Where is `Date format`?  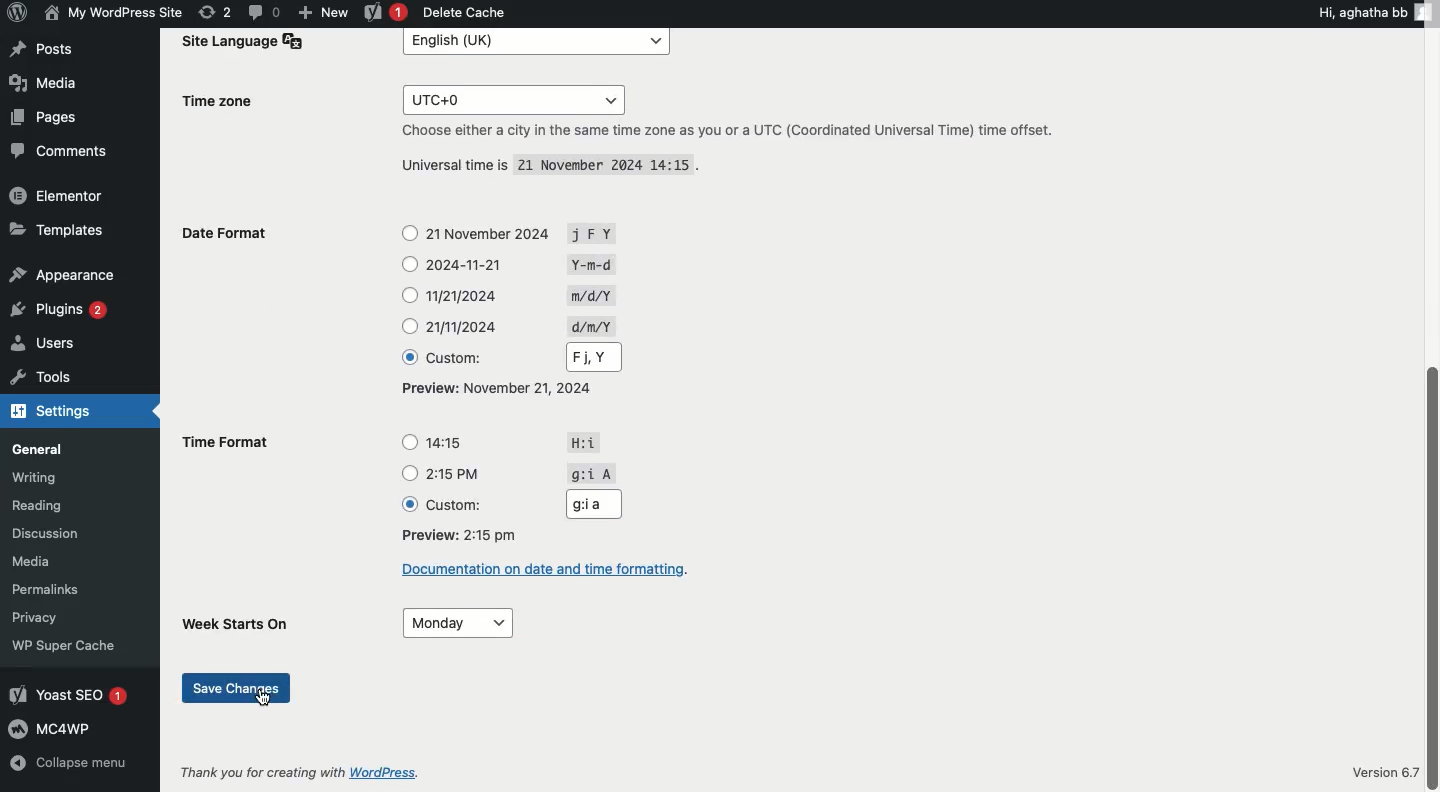 Date format is located at coordinates (231, 240).